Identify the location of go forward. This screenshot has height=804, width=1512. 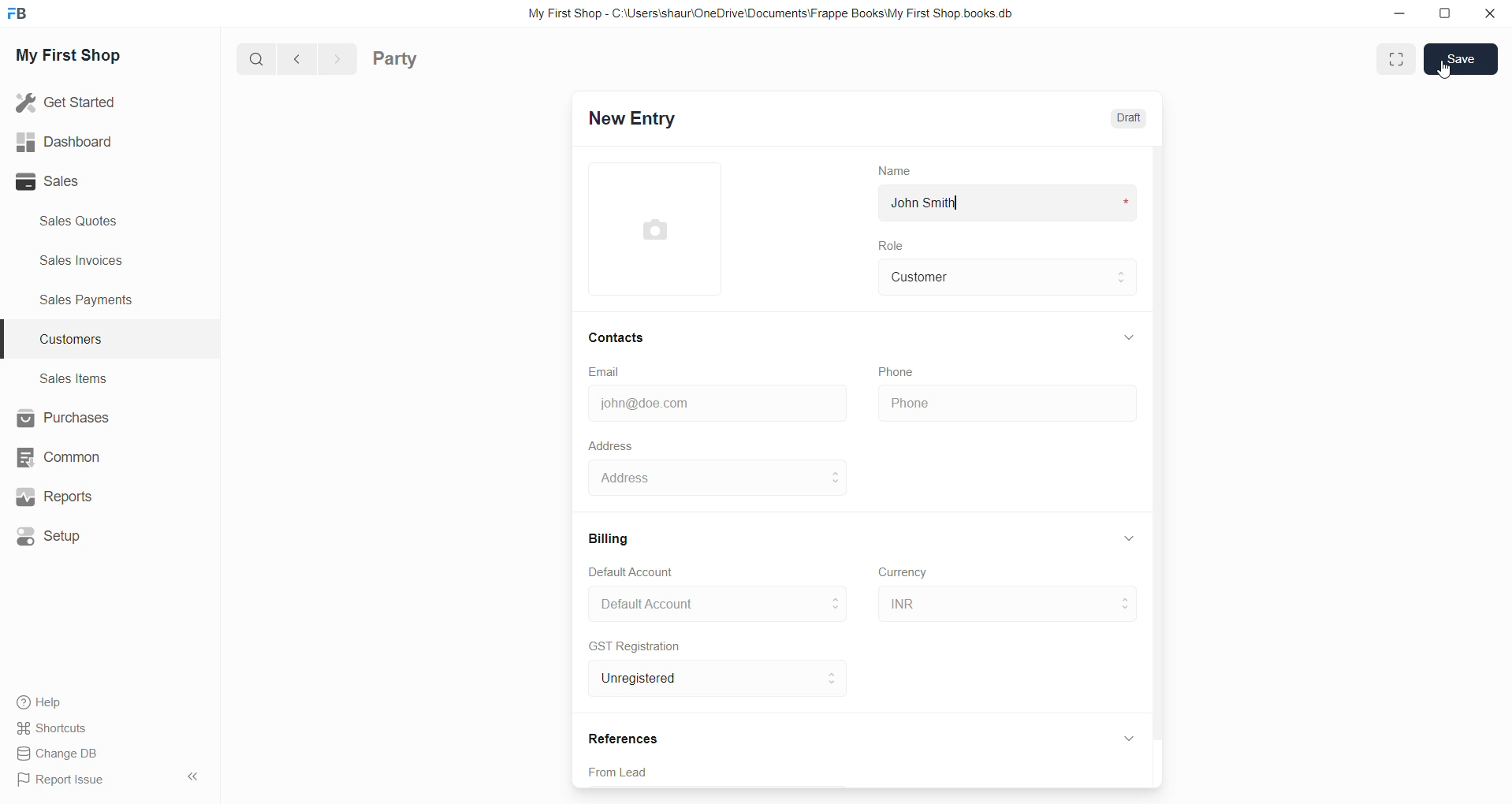
(337, 60).